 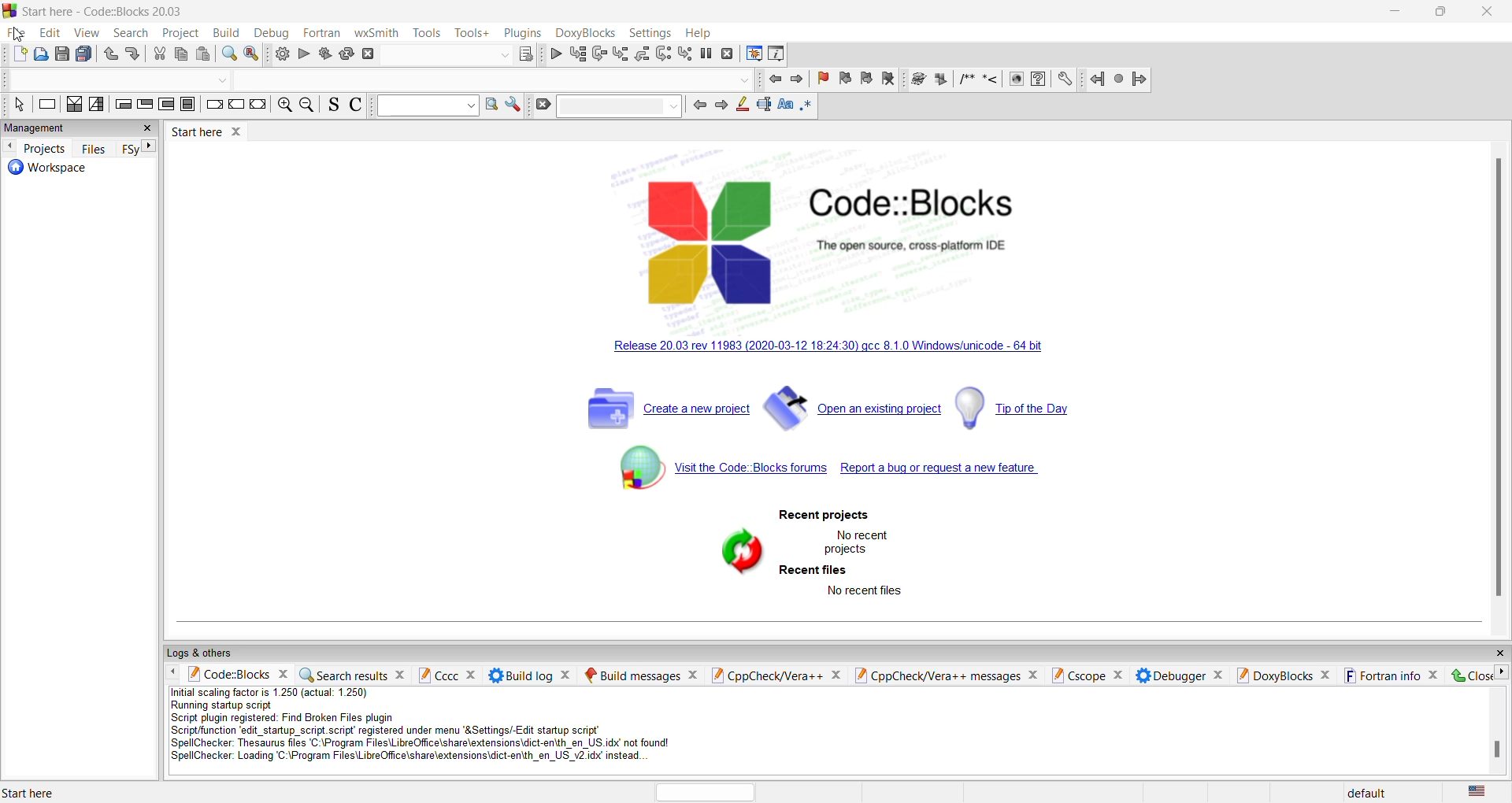 What do you see at coordinates (699, 106) in the screenshot?
I see `prev` at bounding box center [699, 106].